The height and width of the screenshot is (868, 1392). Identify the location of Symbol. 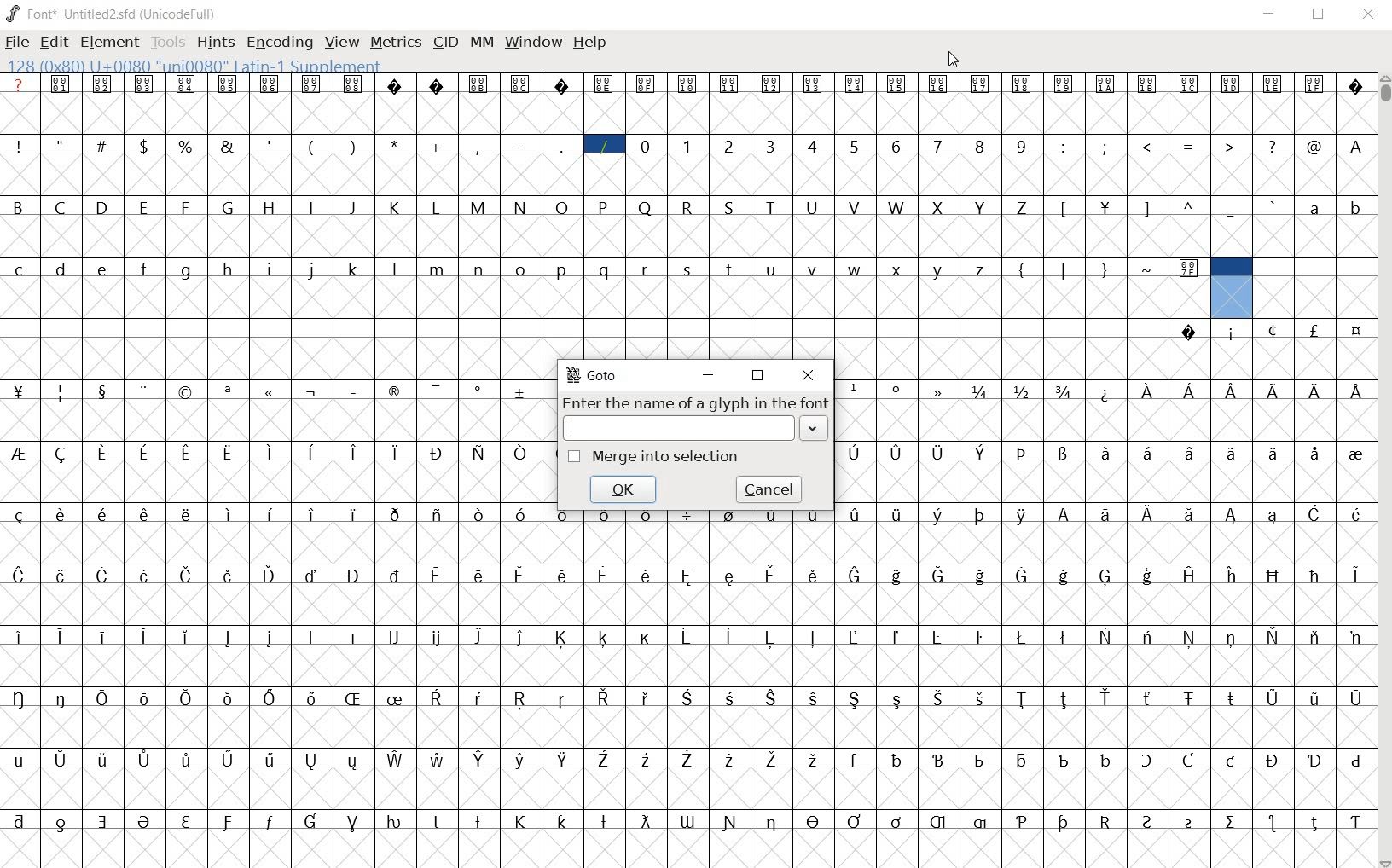
(107, 574).